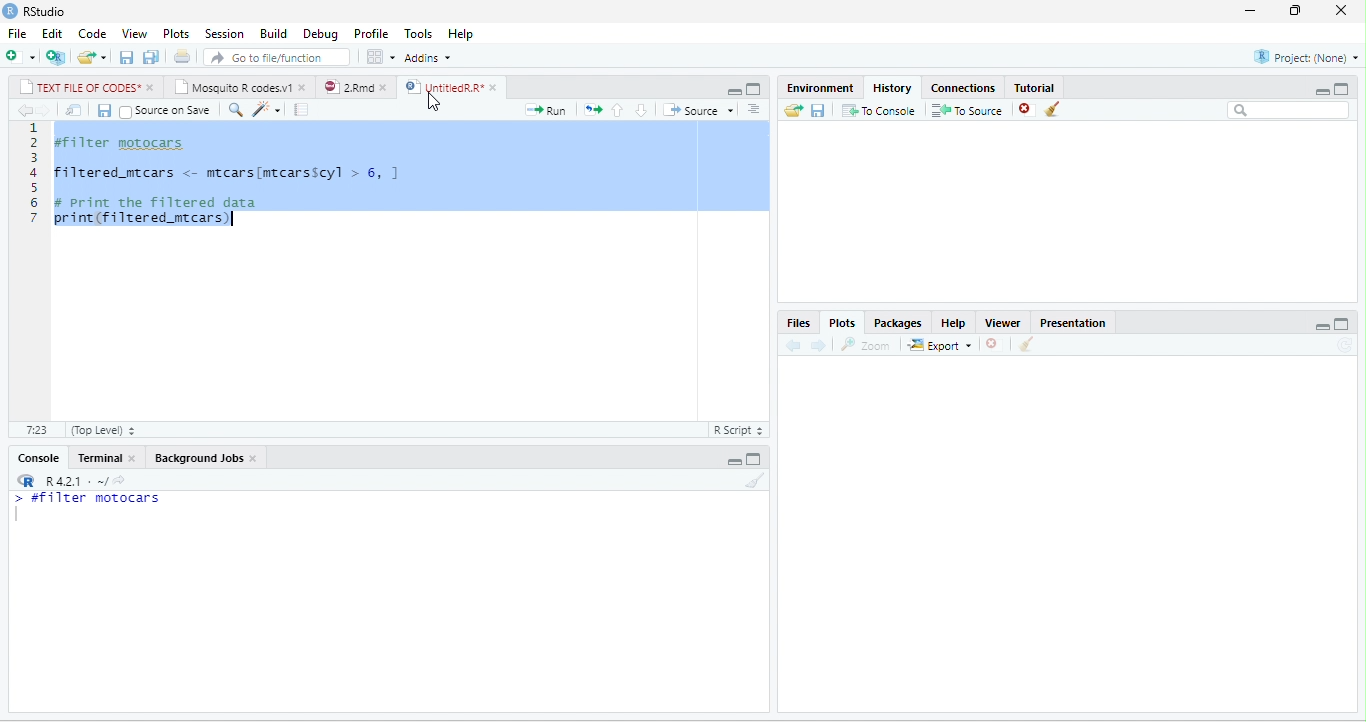 The width and height of the screenshot is (1366, 722). What do you see at coordinates (166, 112) in the screenshot?
I see `Source on Save` at bounding box center [166, 112].